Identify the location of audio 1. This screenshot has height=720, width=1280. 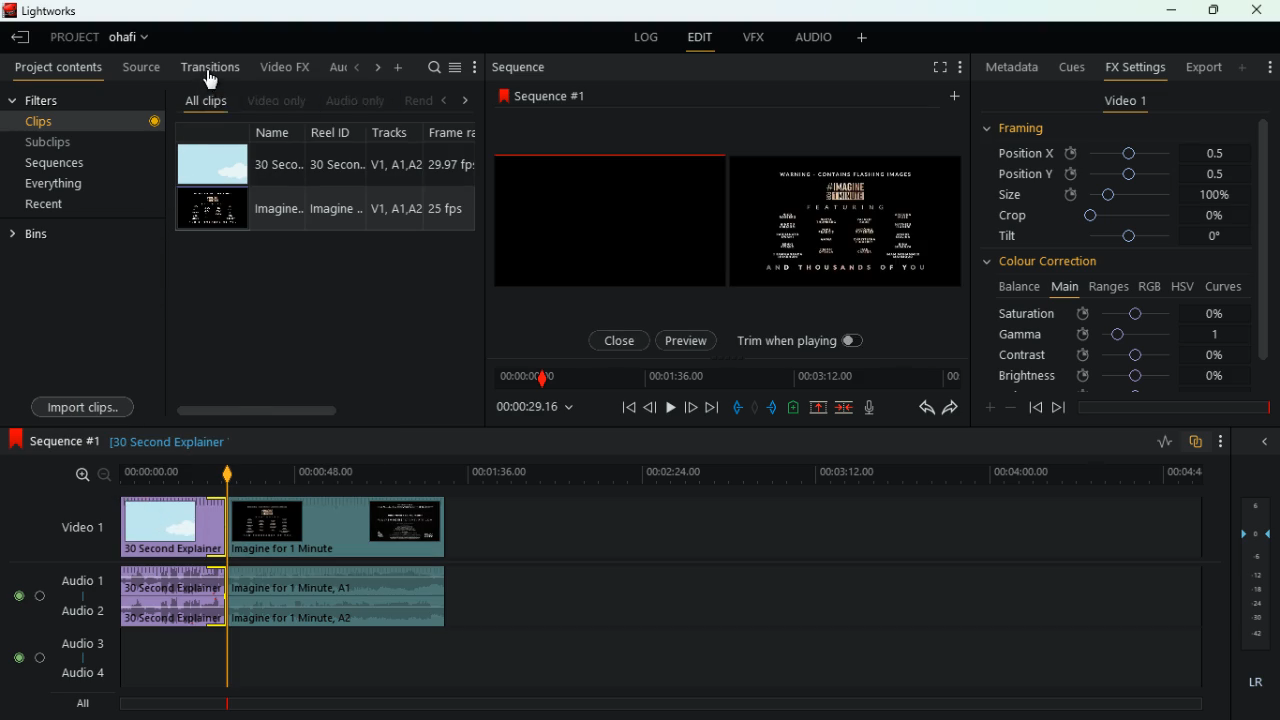
(85, 580).